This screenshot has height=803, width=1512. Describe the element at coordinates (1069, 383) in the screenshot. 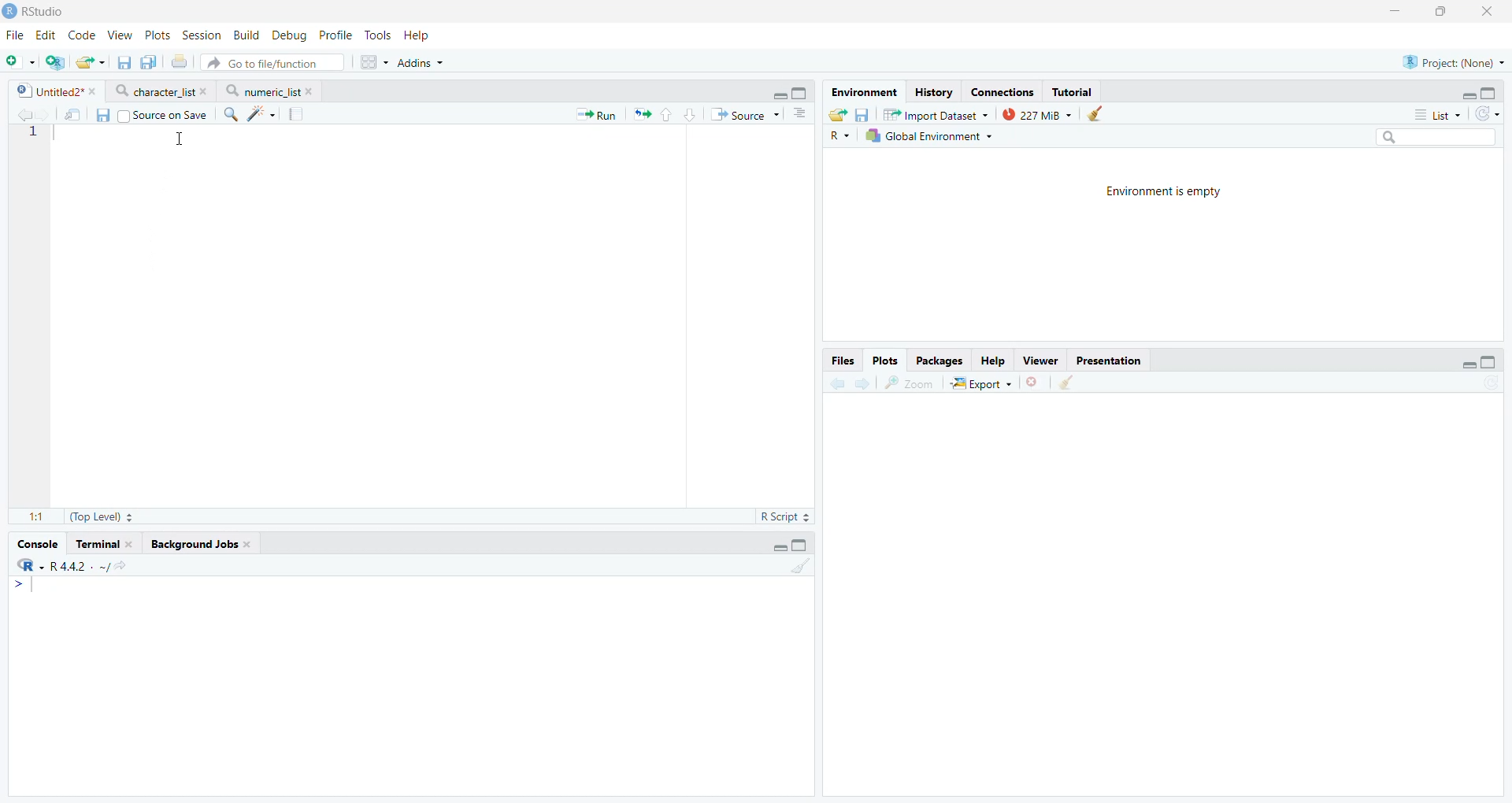

I see `Clear` at that location.